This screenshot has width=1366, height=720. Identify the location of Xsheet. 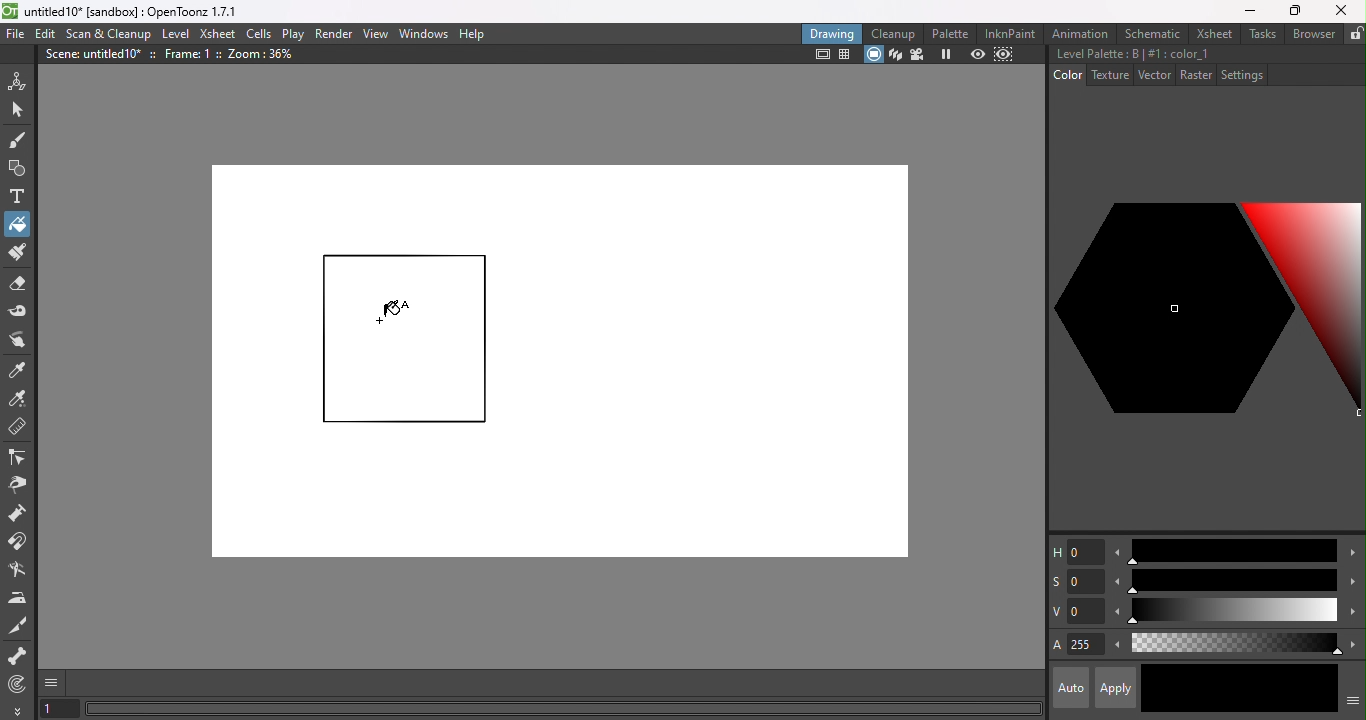
(217, 33).